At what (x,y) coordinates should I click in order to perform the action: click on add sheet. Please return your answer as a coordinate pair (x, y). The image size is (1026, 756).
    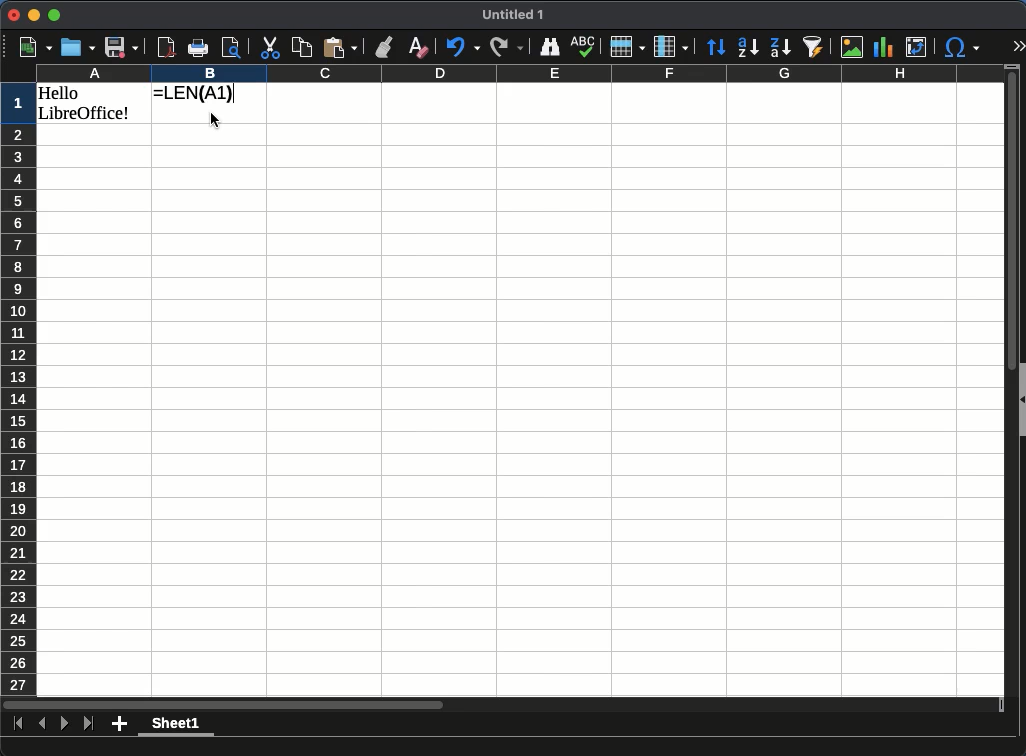
    Looking at the image, I should click on (119, 724).